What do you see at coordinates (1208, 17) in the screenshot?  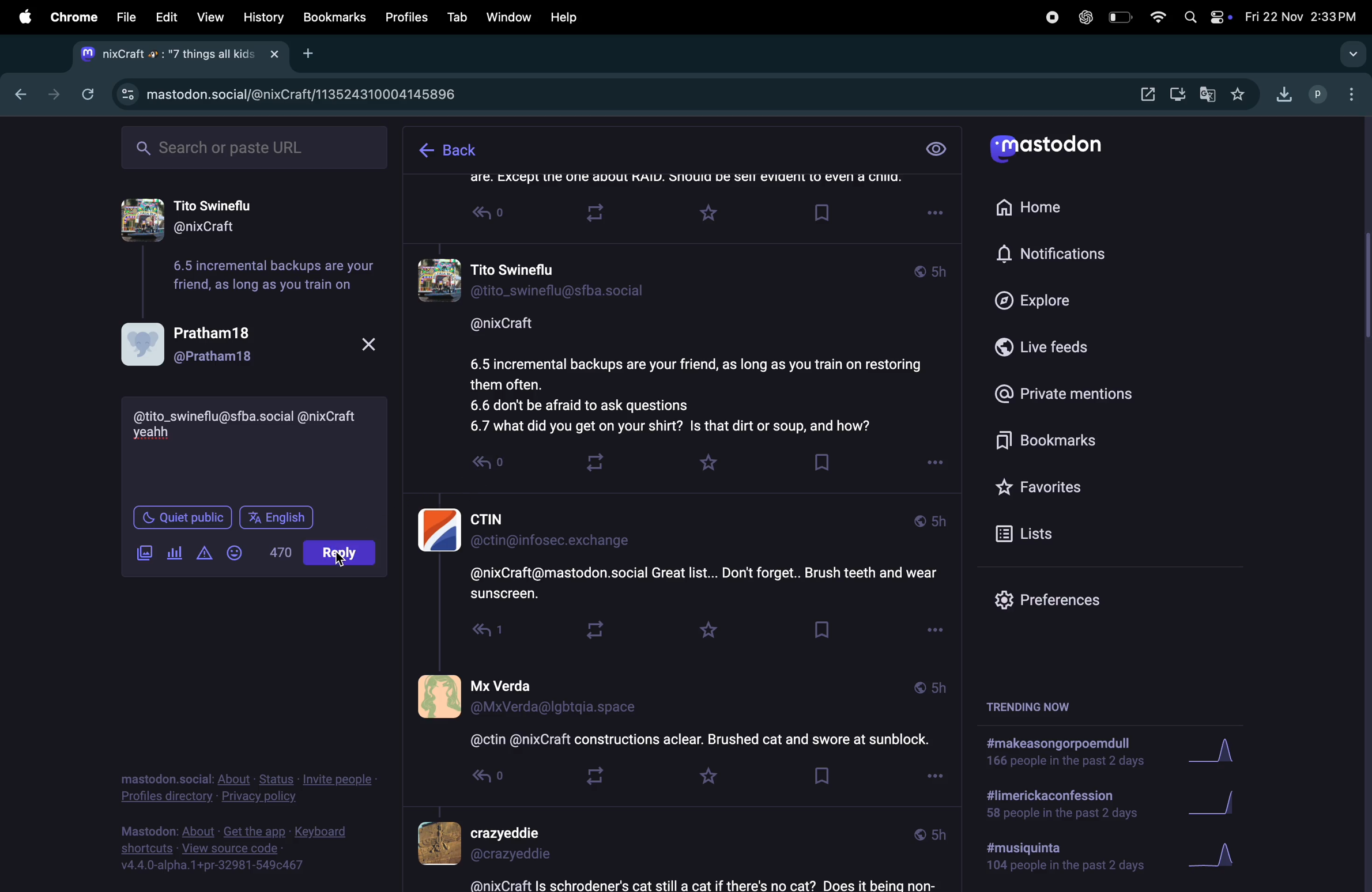 I see `apple widgets` at bounding box center [1208, 17].